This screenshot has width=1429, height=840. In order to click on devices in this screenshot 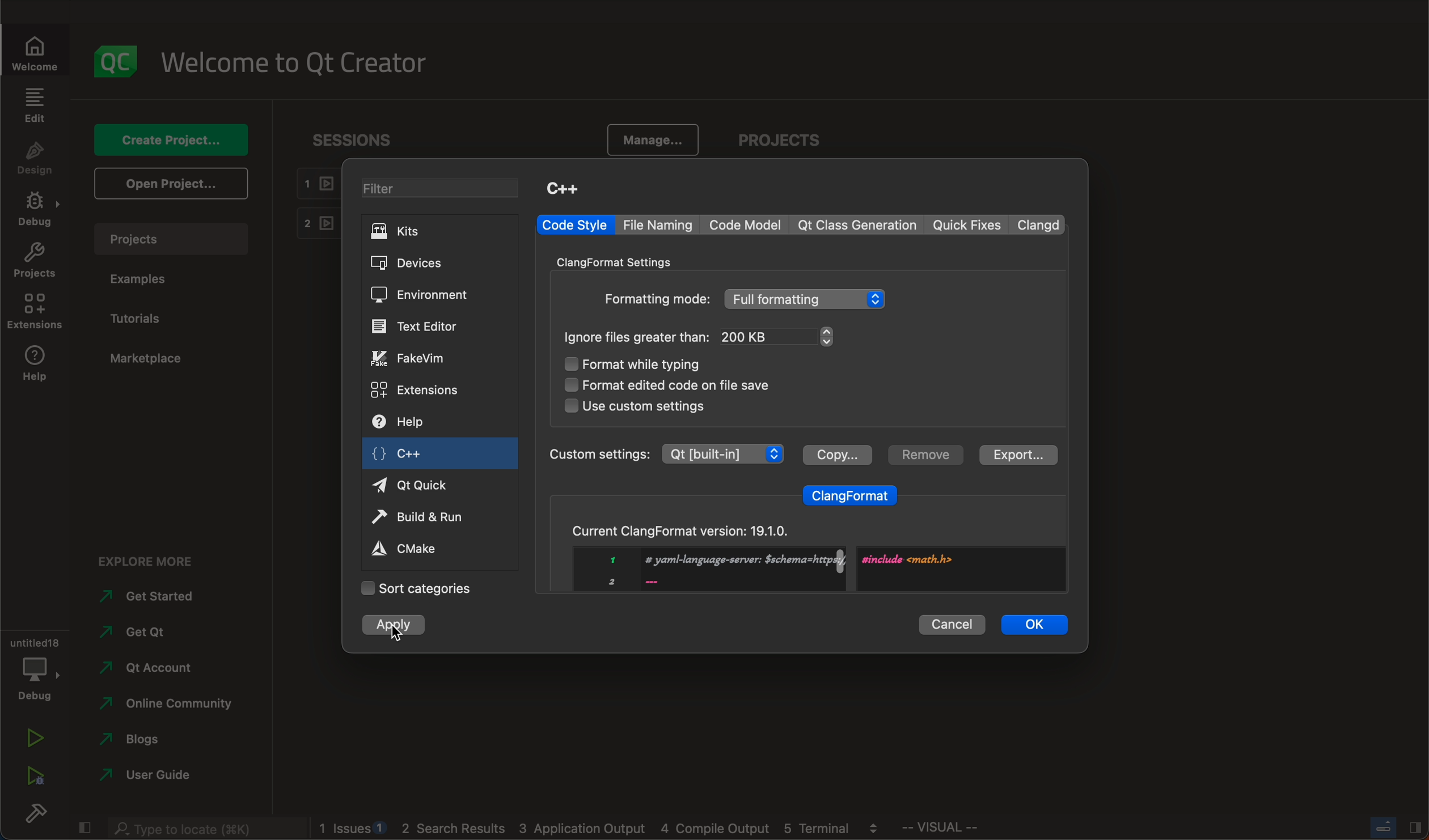, I will do `click(421, 264)`.